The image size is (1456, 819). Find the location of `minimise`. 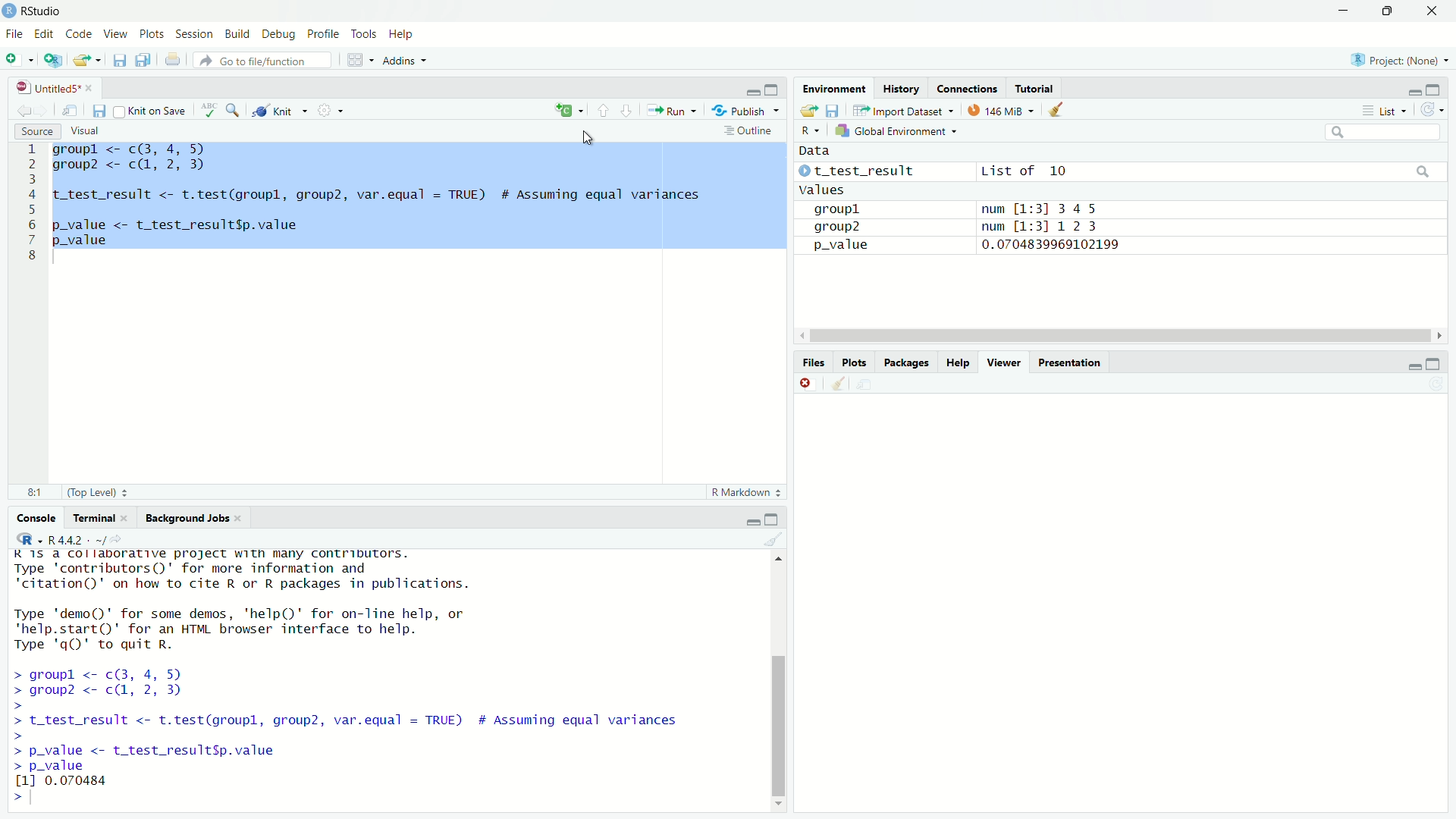

minimise is located at coordinates (1413, 88).